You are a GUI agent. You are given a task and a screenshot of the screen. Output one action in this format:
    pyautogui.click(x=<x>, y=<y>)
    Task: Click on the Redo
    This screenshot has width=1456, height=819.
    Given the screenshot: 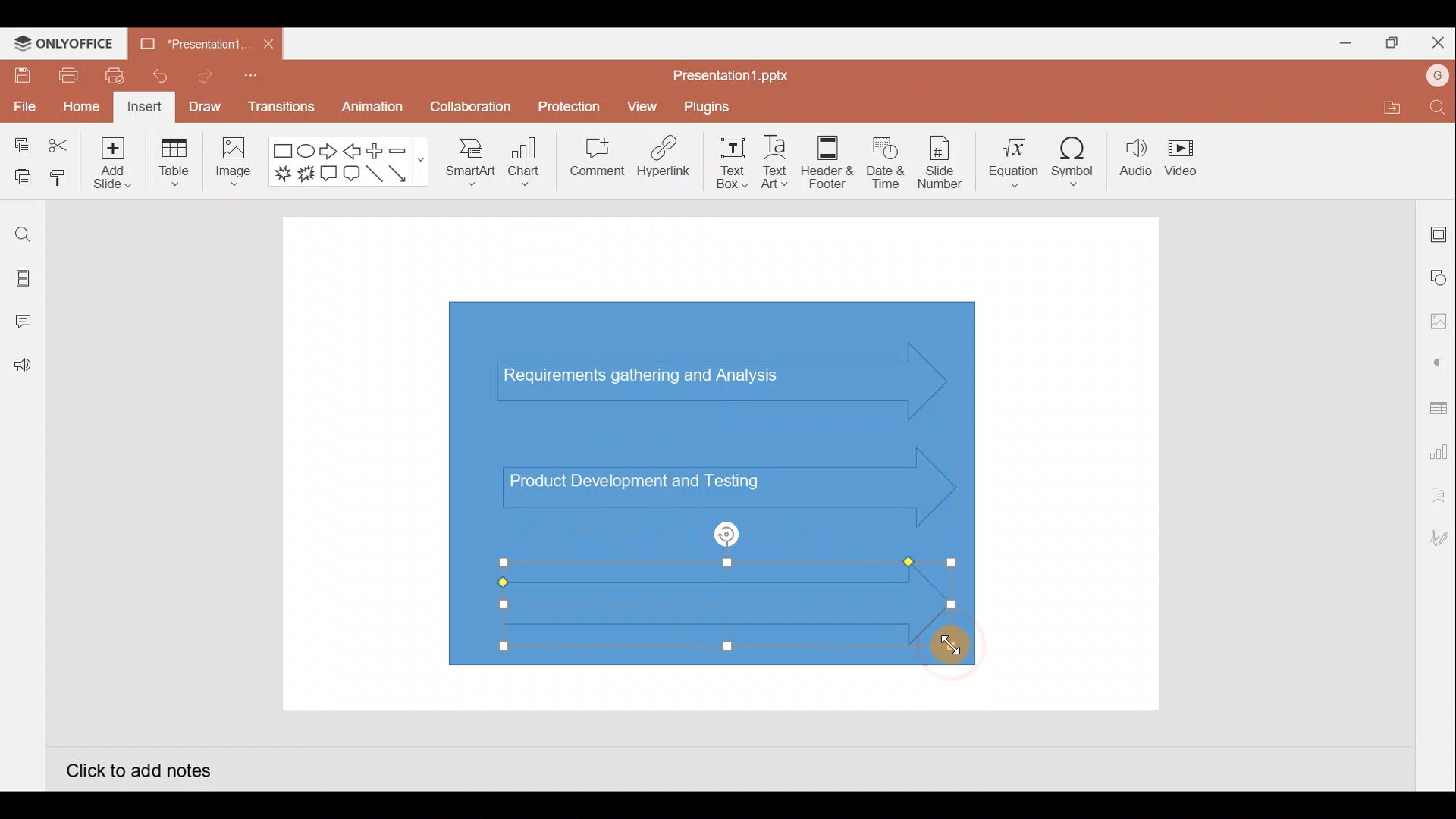 What is the action you would take?
    pyautogui.click(x=199, y=75)
    